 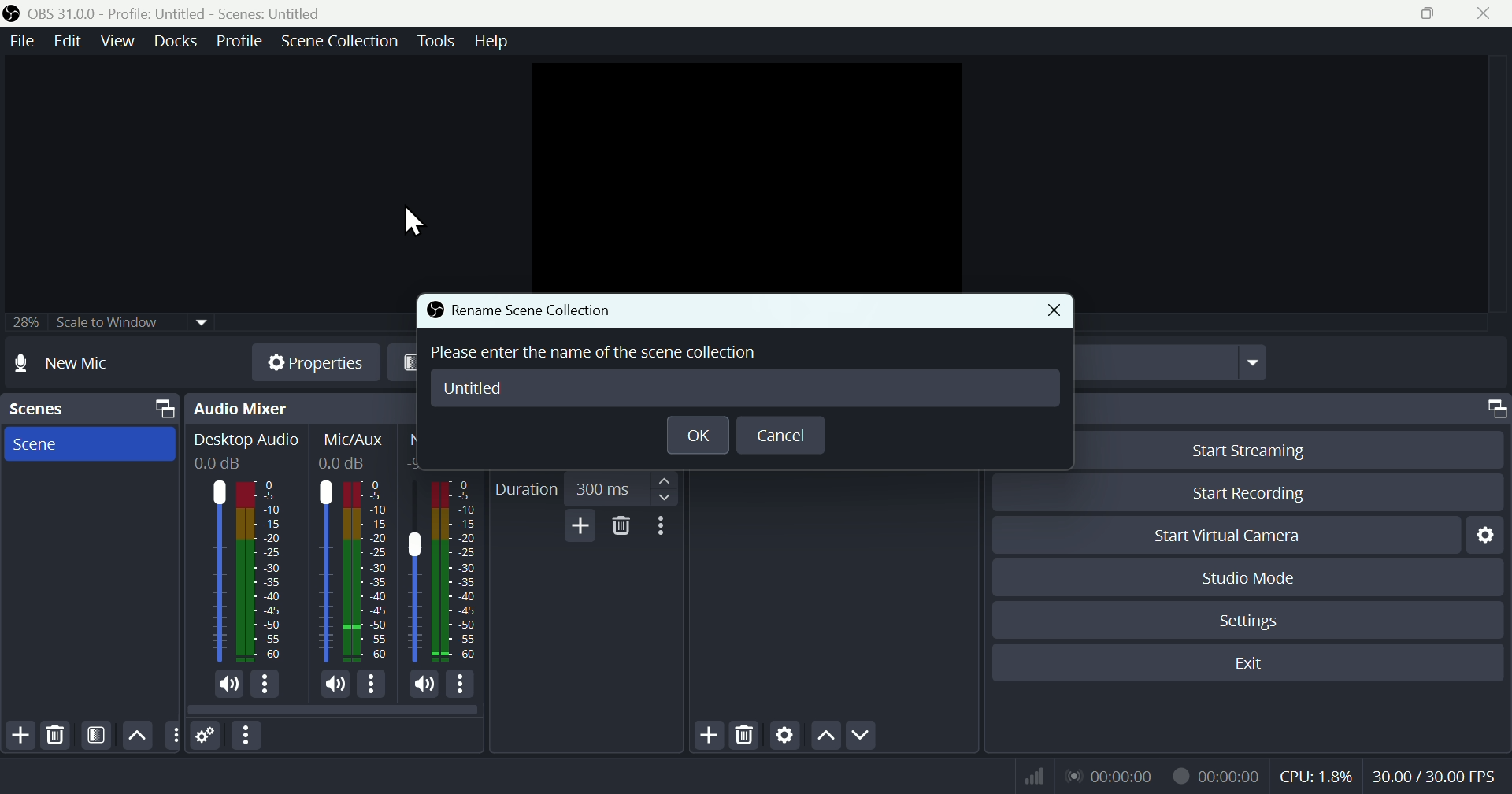 I want to click on Close, so click(x=1058, y=311).